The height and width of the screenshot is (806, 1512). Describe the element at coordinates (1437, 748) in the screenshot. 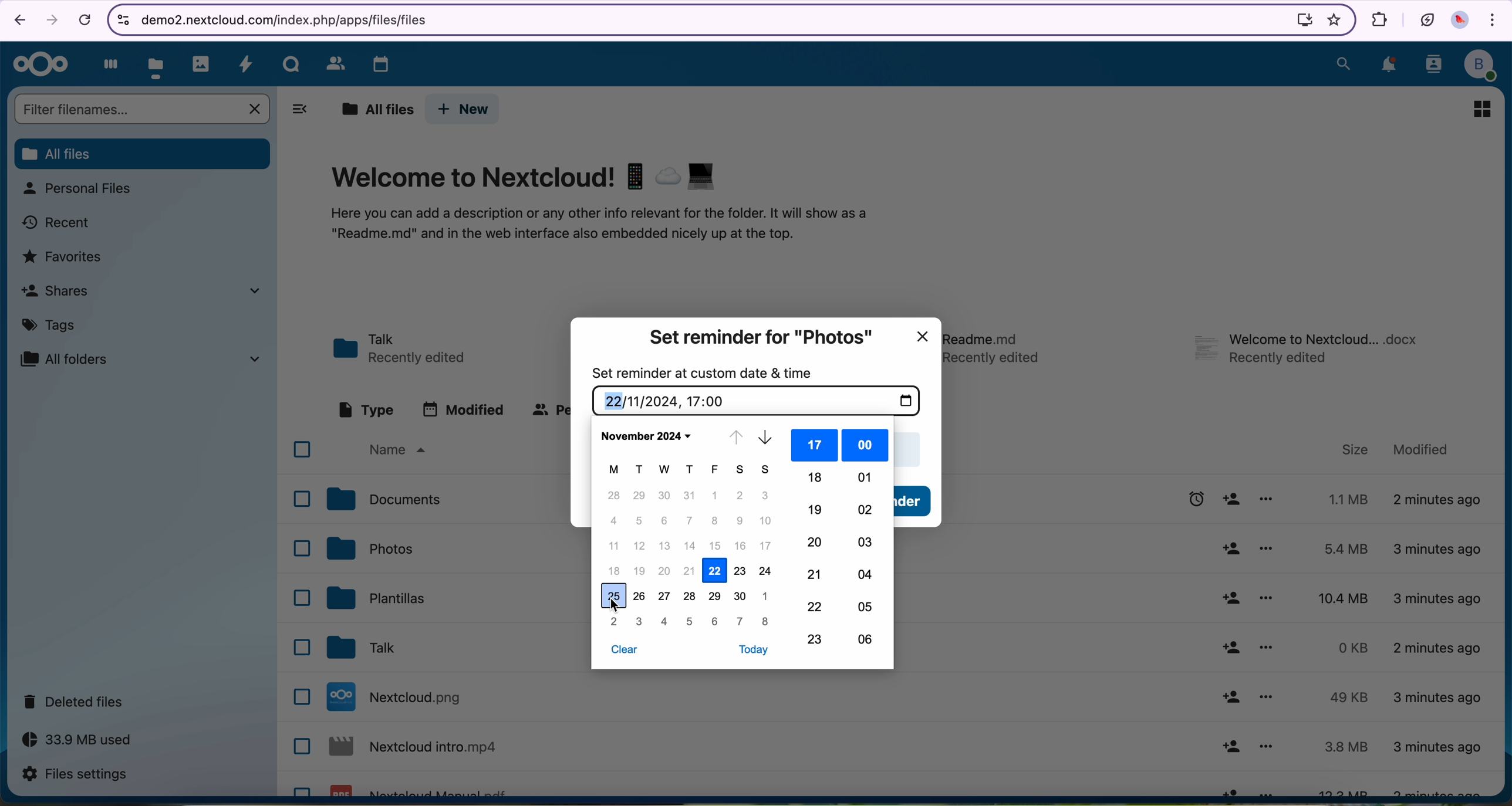

I see `3 minutes ago` at that location.